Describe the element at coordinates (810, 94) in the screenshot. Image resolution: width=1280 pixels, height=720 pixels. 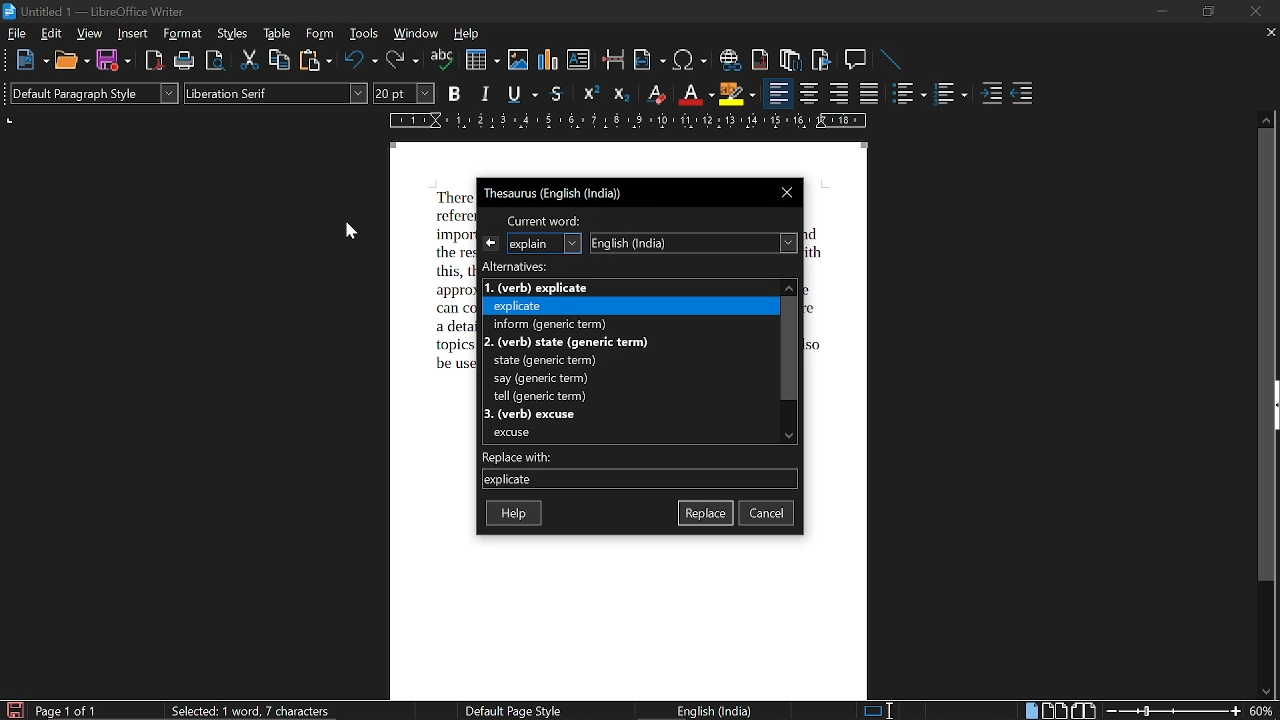
I see `center` at that location.